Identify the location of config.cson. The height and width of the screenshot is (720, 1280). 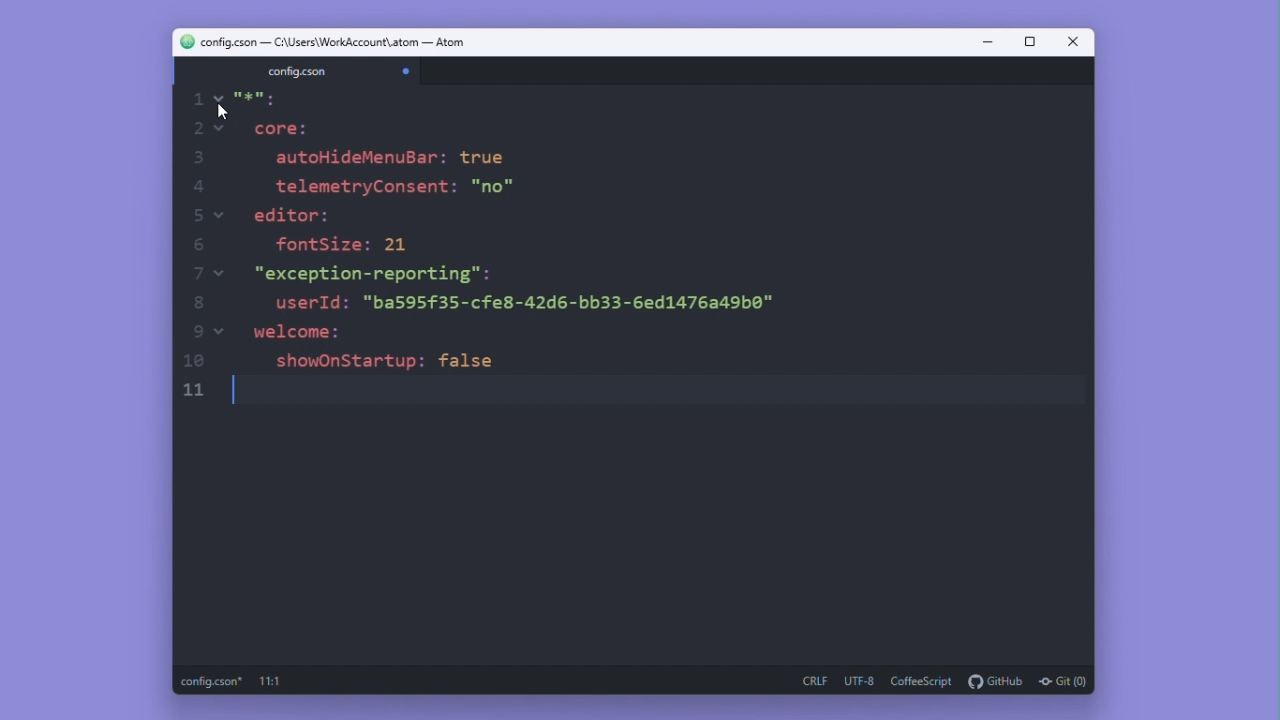
(212, 682).